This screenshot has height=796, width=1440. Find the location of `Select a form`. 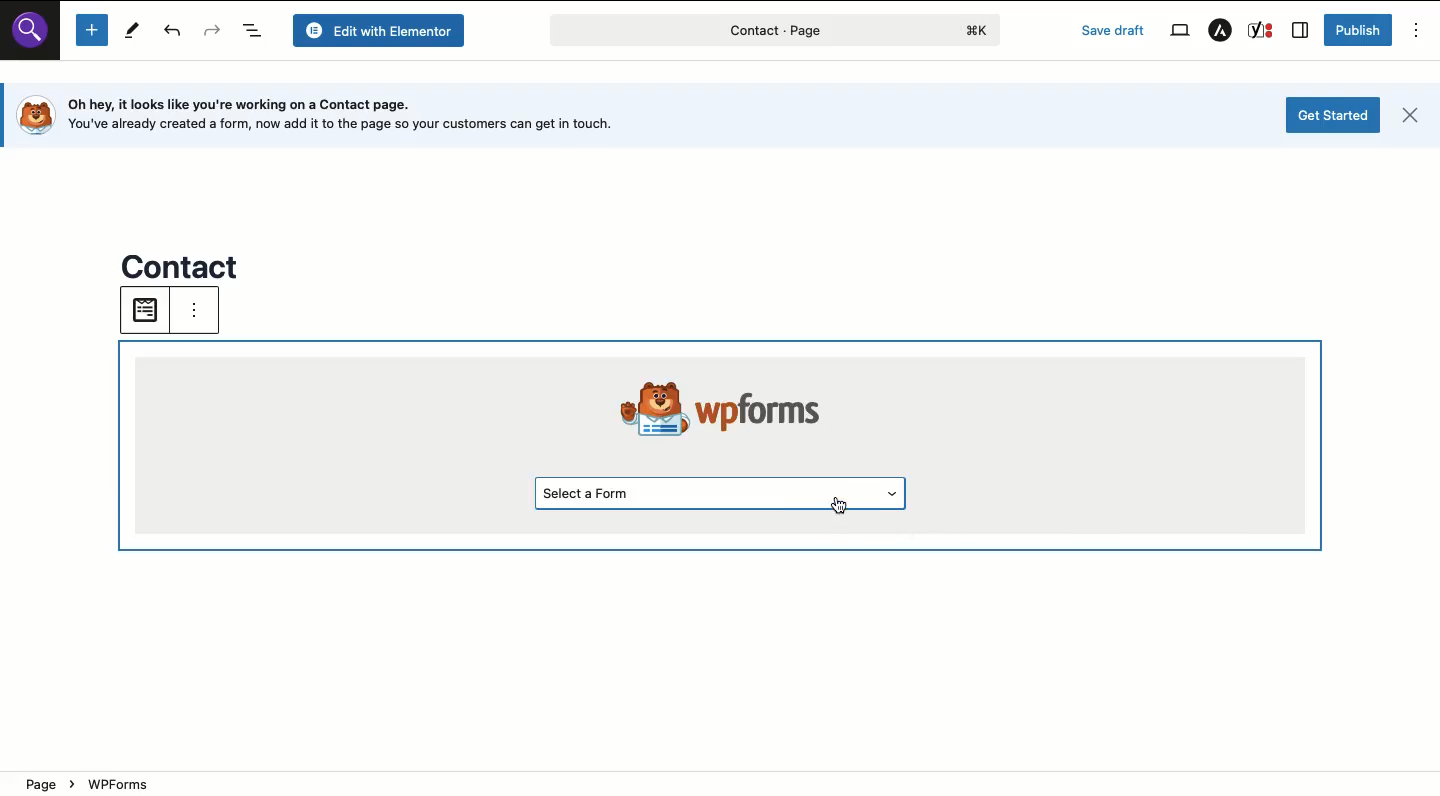

Select a form is located at coordinates (723, 492).